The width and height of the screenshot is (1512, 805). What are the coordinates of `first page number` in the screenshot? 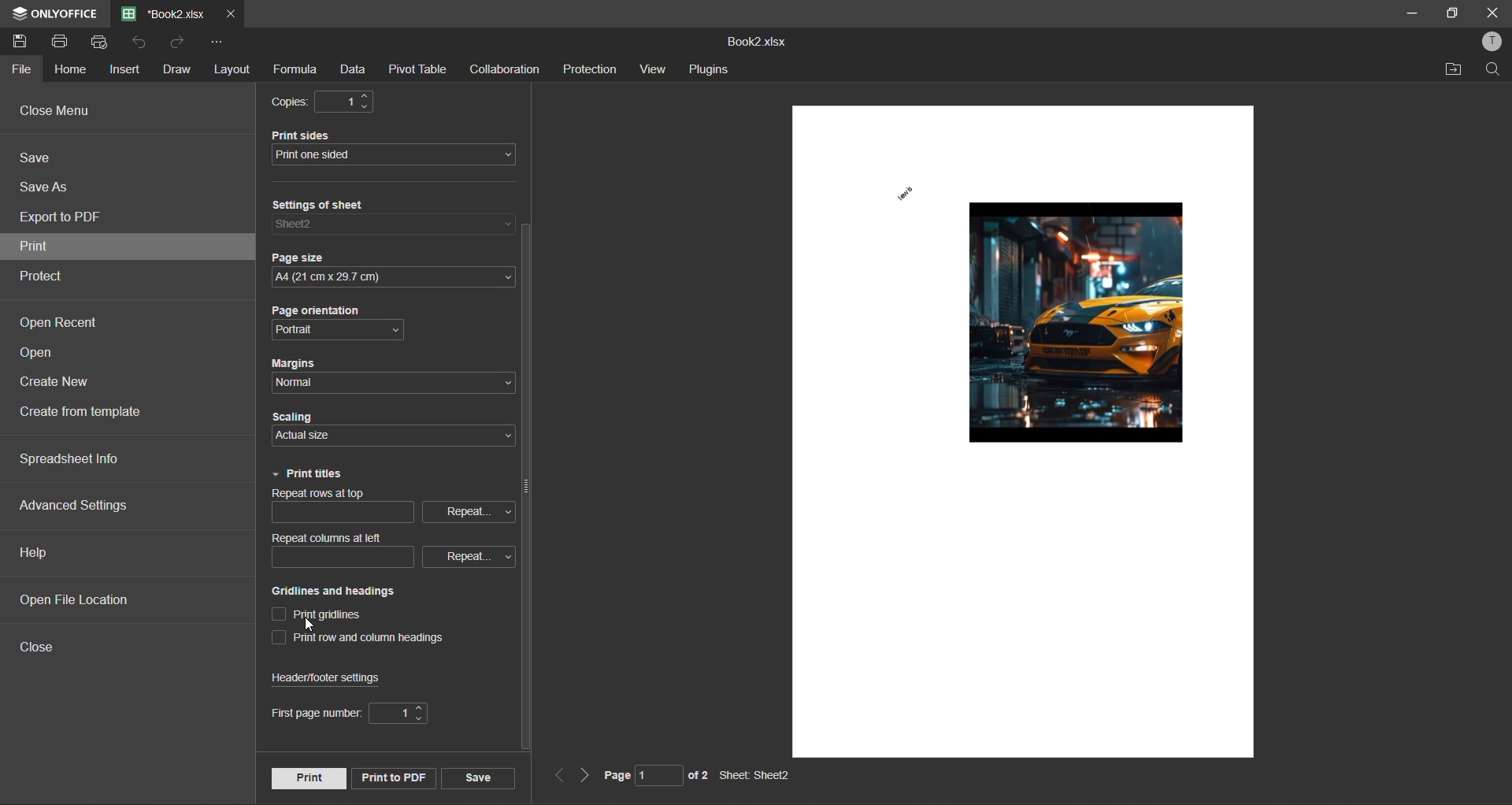 It's located at (355, 713).